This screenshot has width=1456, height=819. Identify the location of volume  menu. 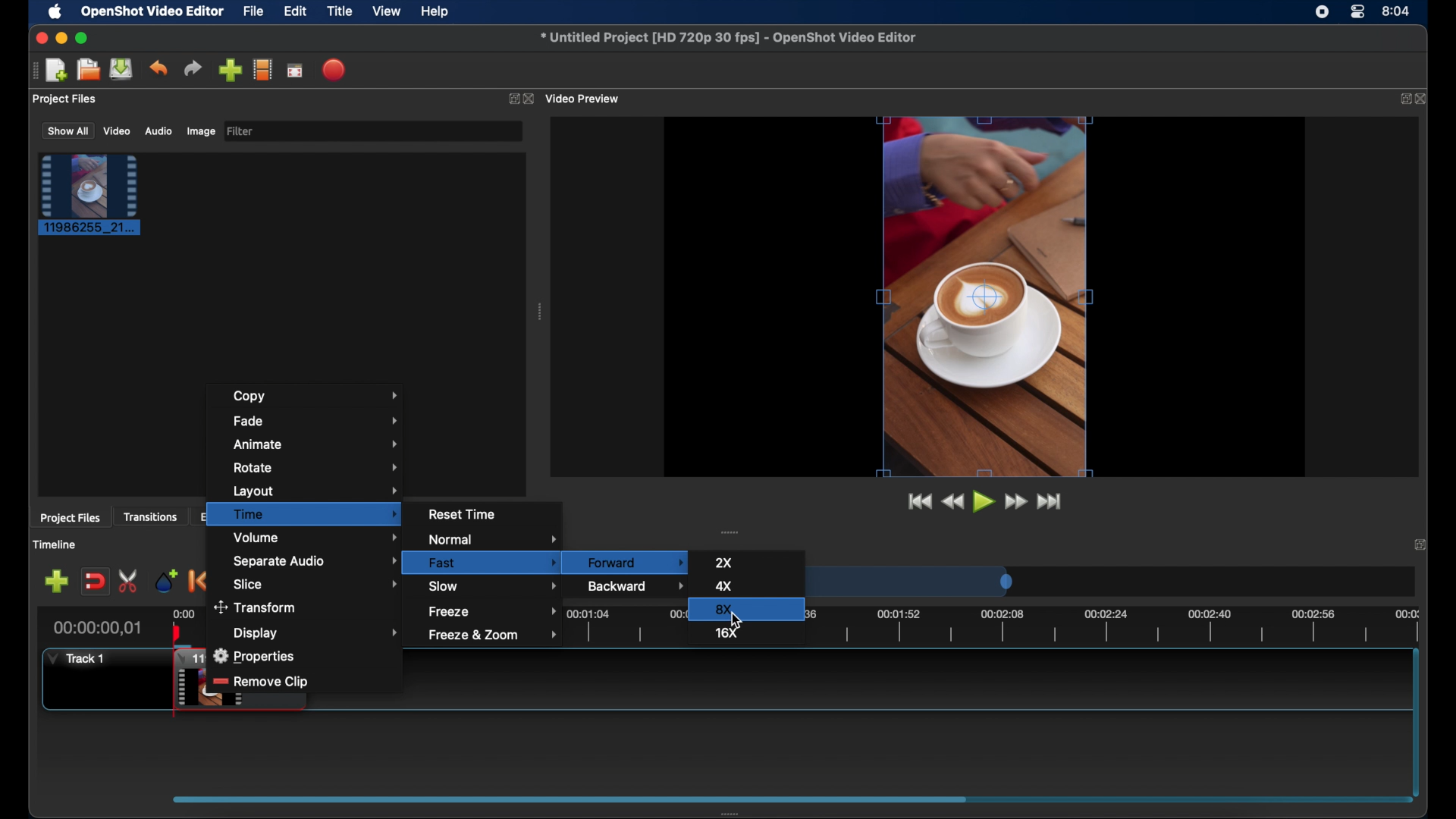
(317, 538).